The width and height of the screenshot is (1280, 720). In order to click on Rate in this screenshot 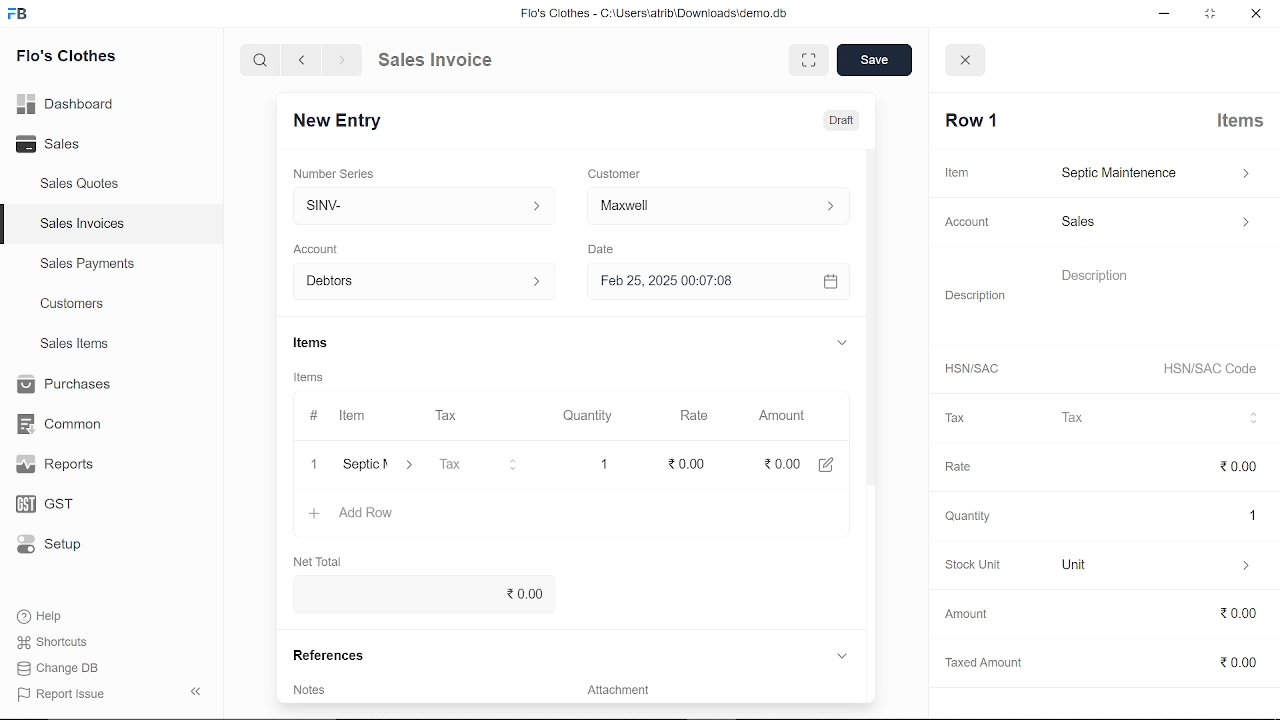, I will do `click(701, 415)`.